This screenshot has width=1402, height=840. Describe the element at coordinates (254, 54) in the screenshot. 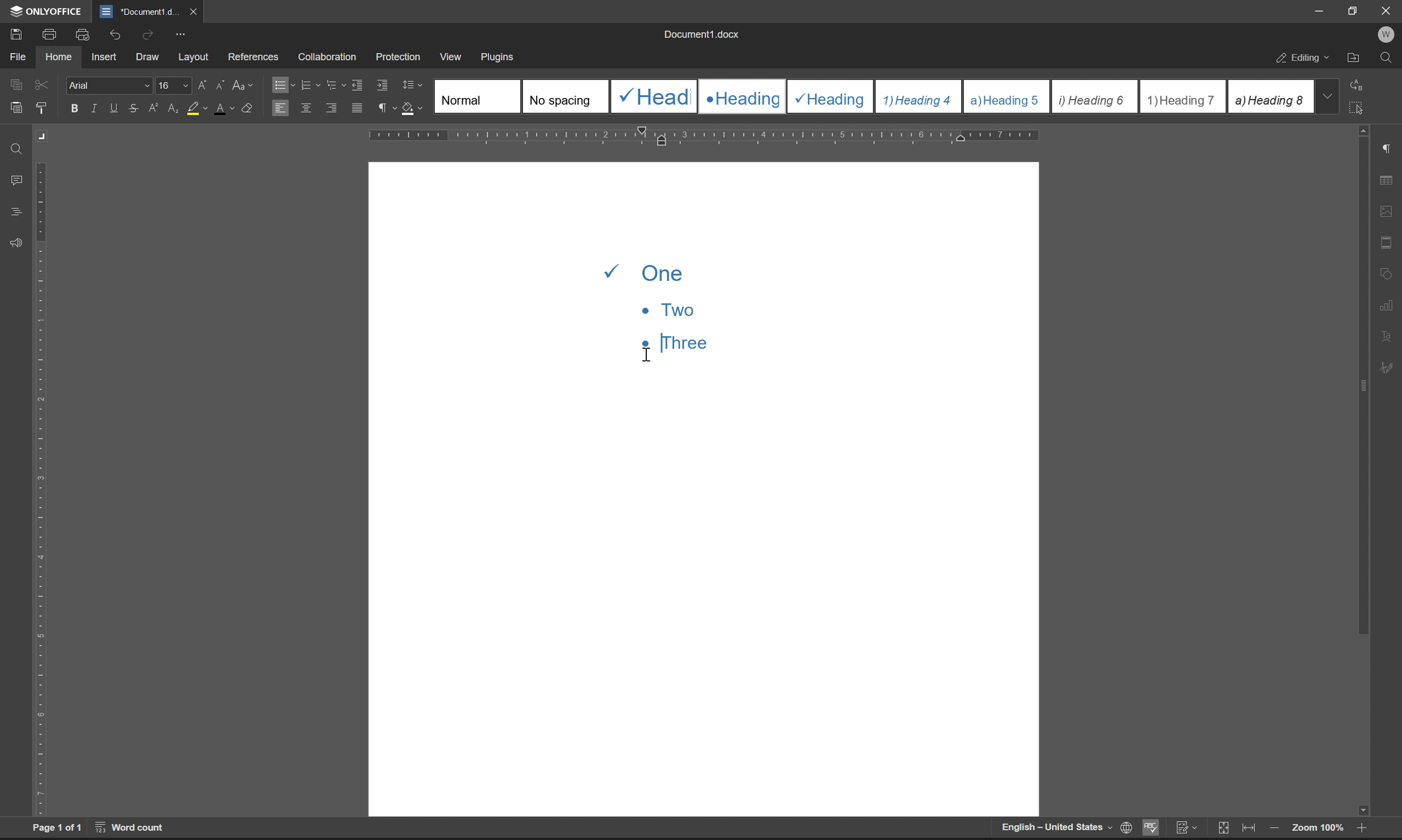

I see `references` at that location.